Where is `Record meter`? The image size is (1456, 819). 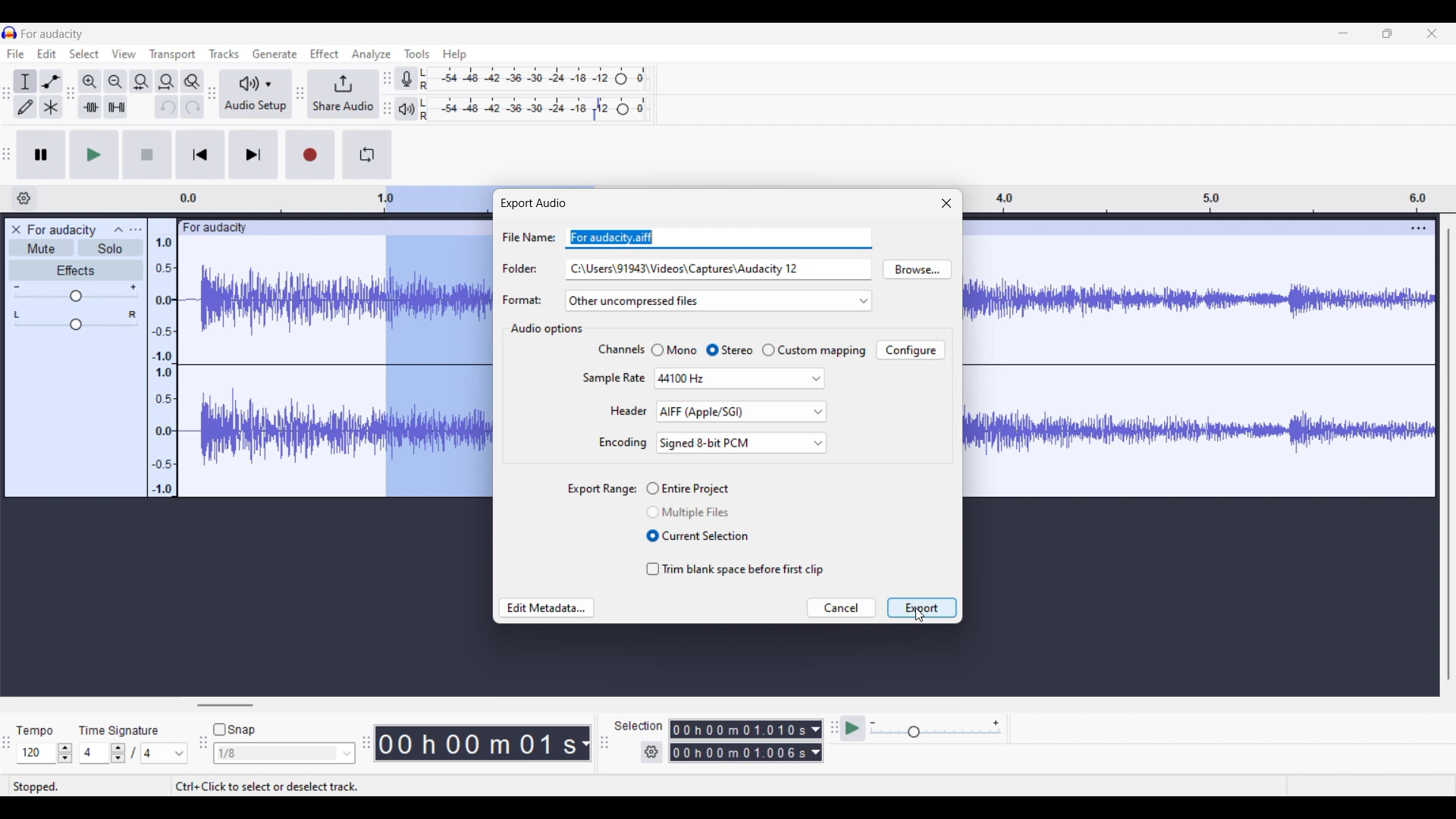 Record meter is located at coordinates (404, 78).